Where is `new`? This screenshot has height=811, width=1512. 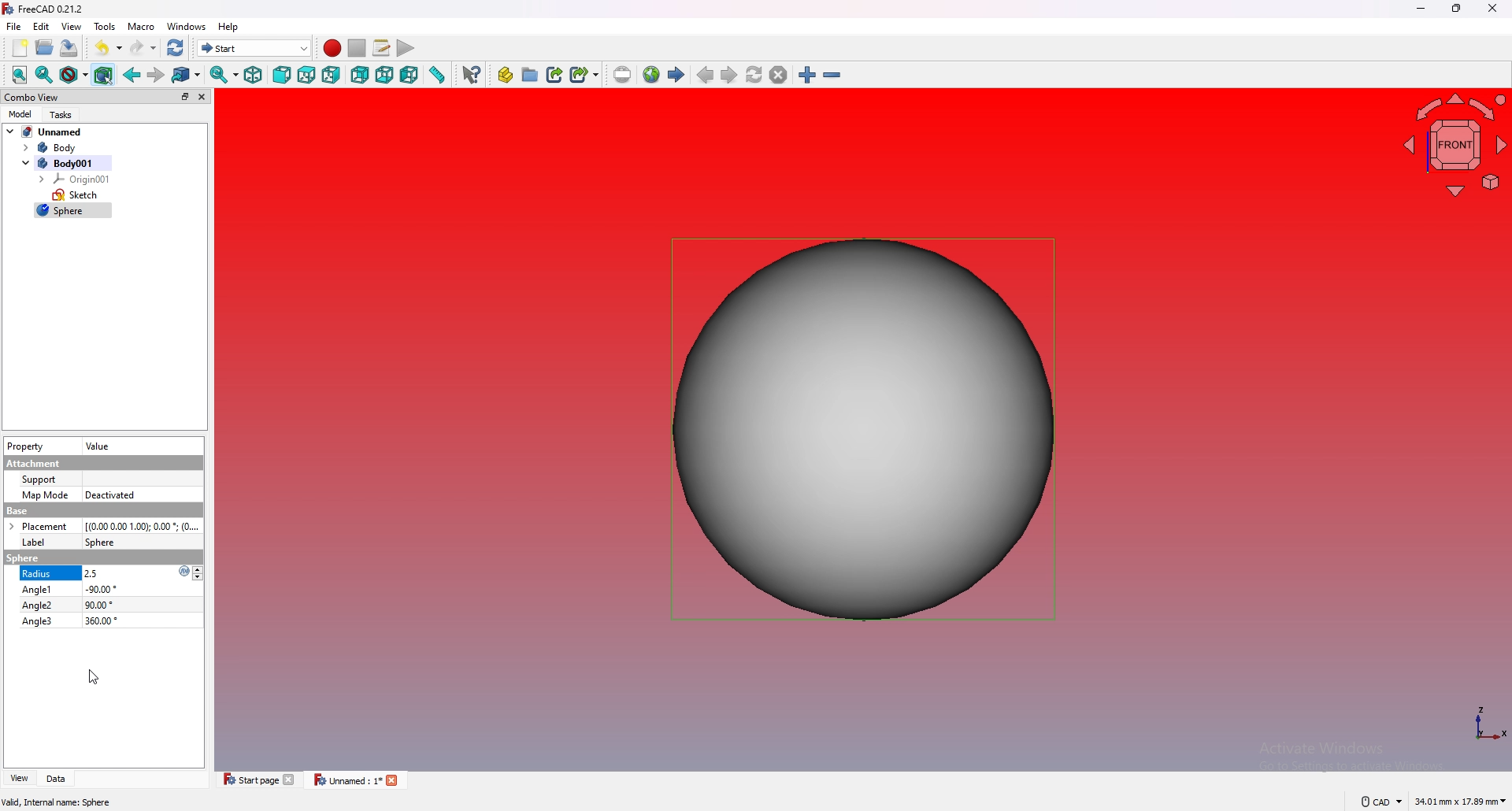
new is located at coordinates (18, 48).